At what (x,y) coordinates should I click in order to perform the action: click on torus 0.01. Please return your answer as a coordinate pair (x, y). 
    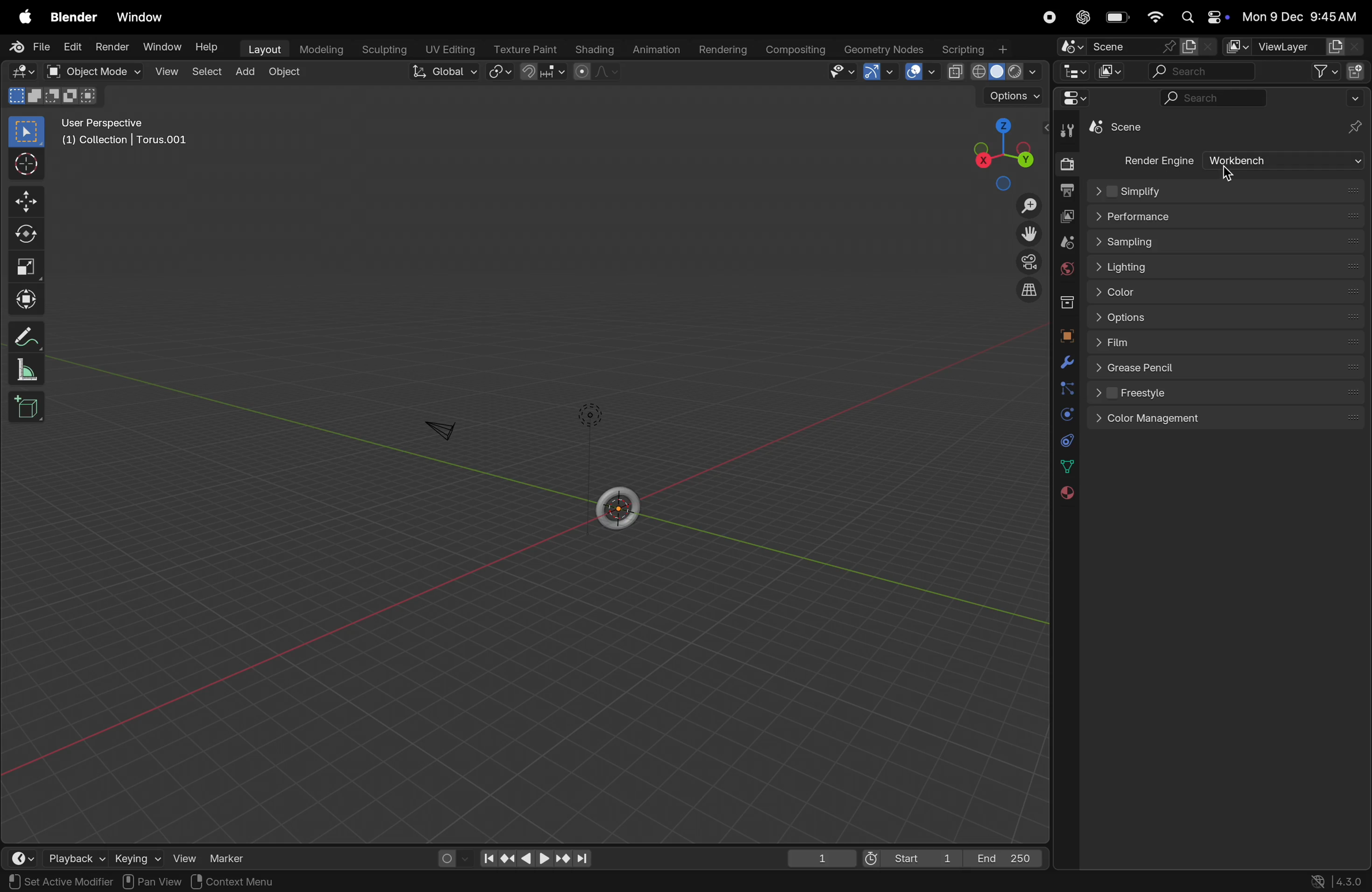
    Looking at the image, I should click on (1126, 129).